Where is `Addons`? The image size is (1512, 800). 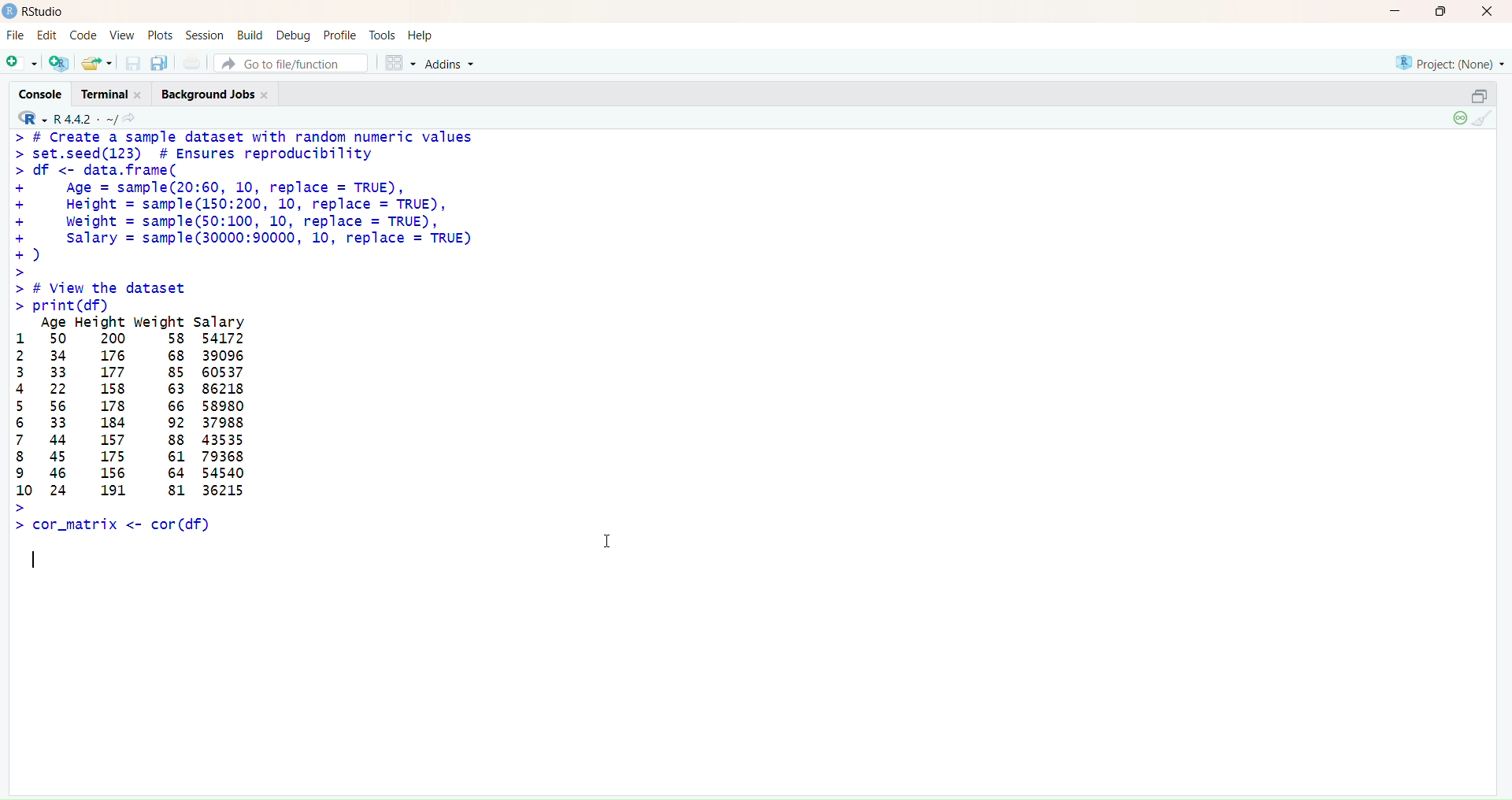
Addons is located at coordinates (453, 64).